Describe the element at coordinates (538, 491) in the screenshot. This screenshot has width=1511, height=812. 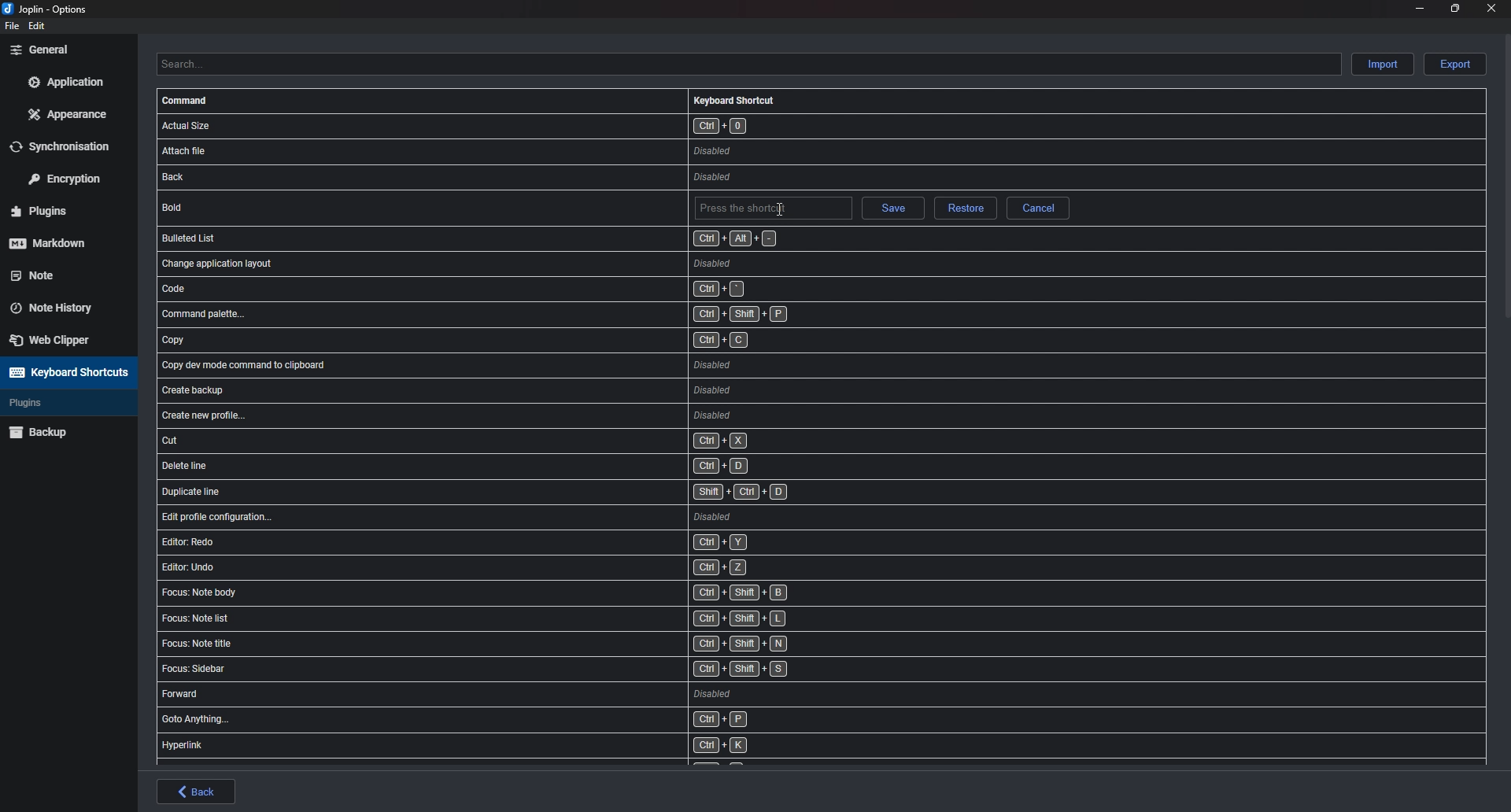
I see `shortcut` at that location.